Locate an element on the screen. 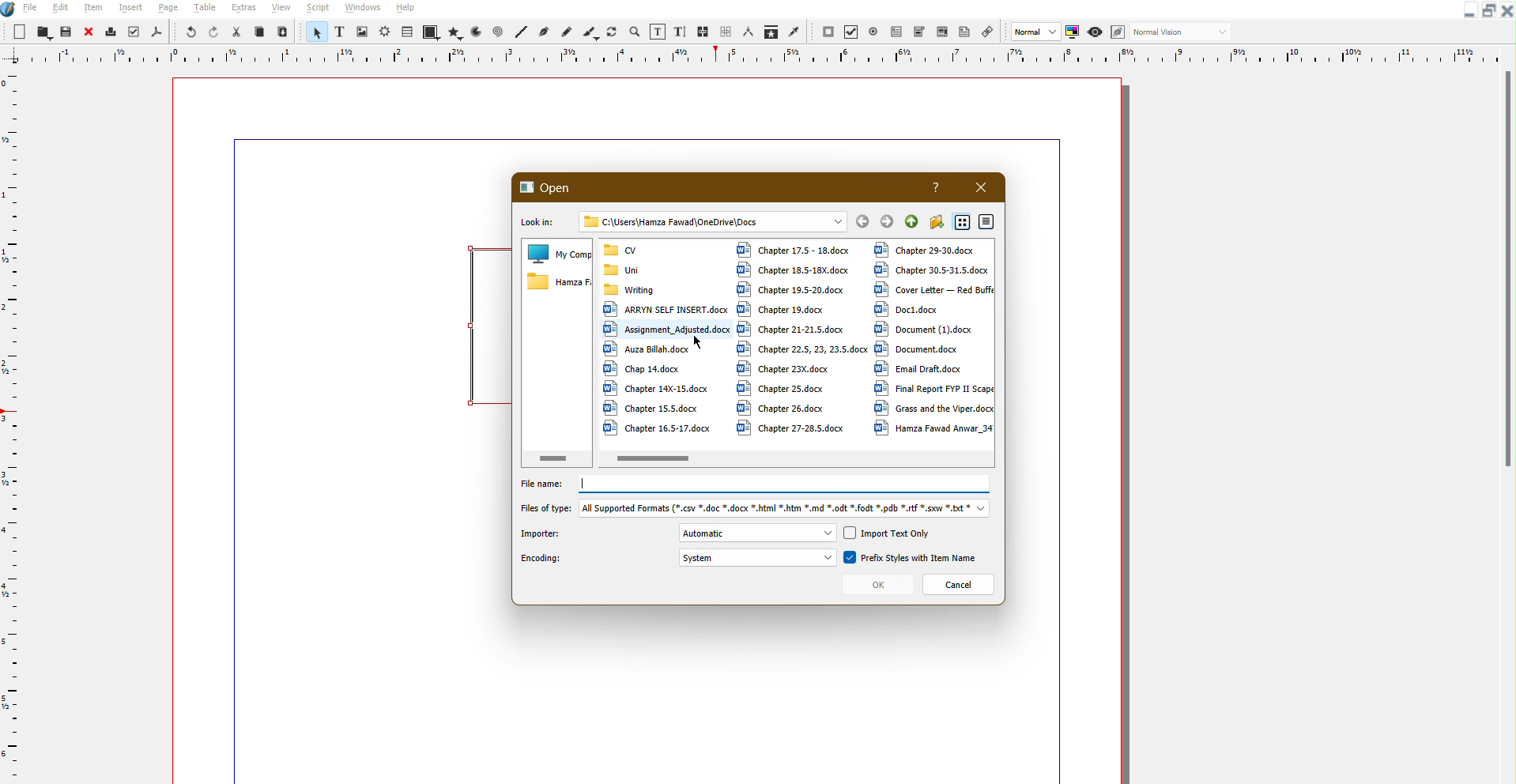  freehand line is located at coordinates (564, 32).